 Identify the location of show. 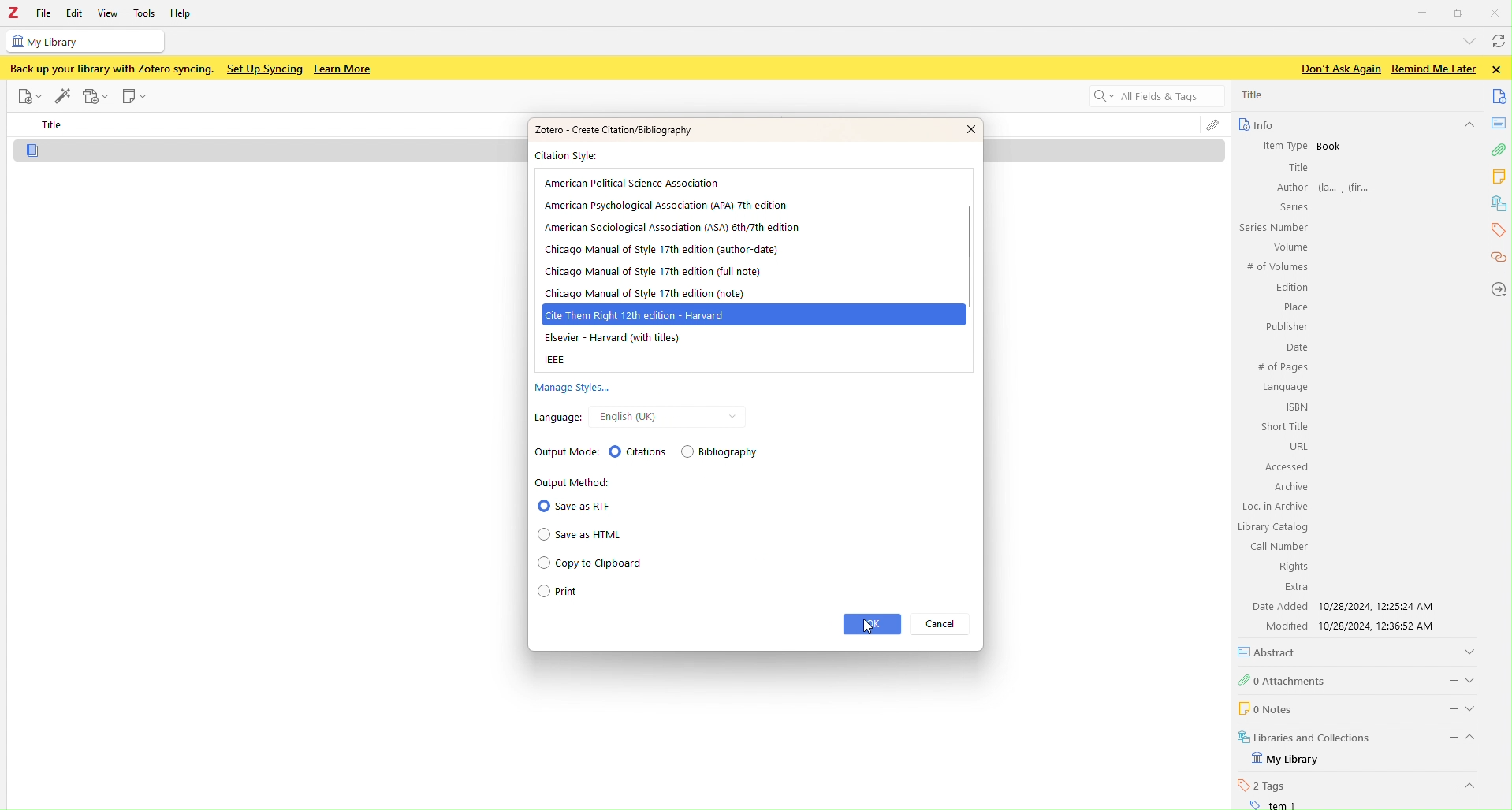
(1473, 678).